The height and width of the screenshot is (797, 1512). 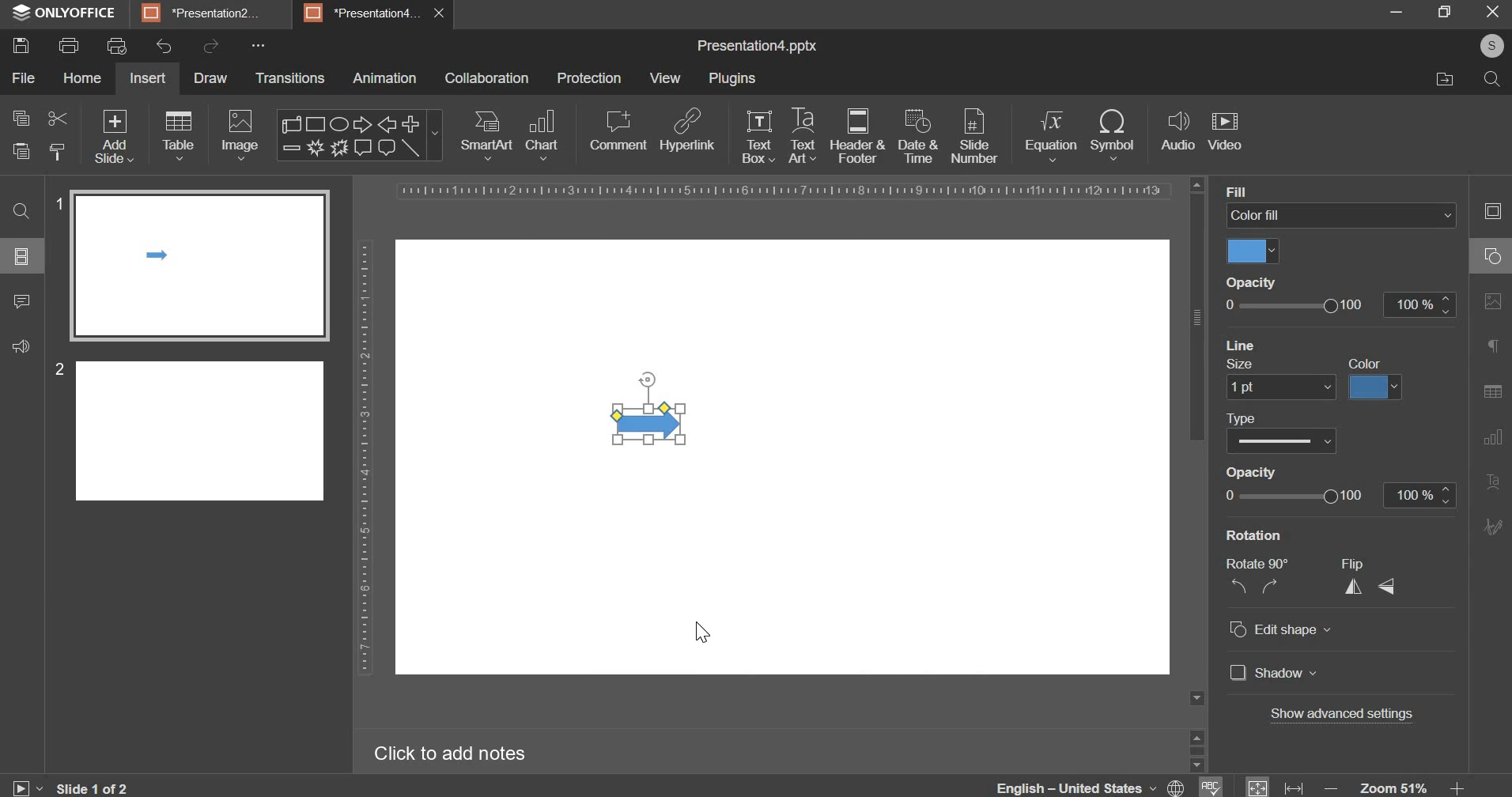 What do you see at coordinates (1209, 780) in the screenshot?
I see `spelling` at bounding box center [1209, 780].